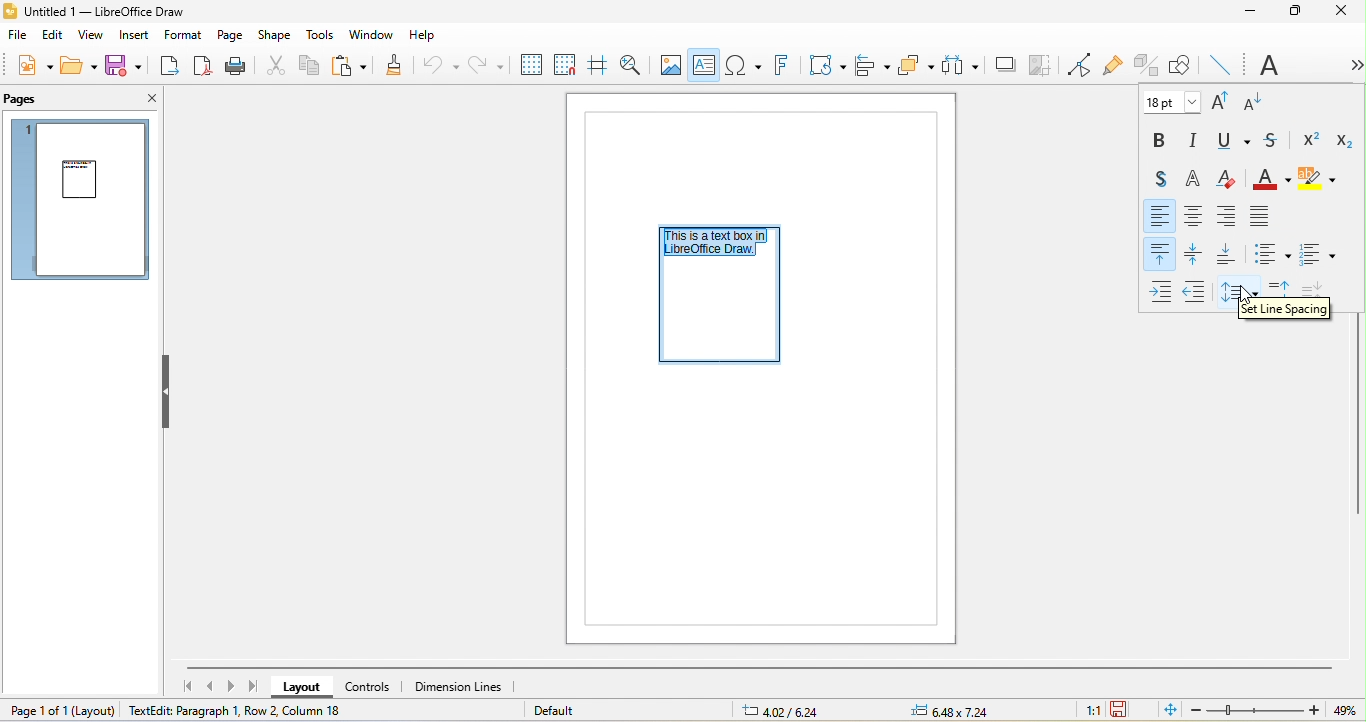 The image size is (1366, 722). Describe the element at coordinates (205, 67) in the screenshot. I see `export directly as pdf` at that location.